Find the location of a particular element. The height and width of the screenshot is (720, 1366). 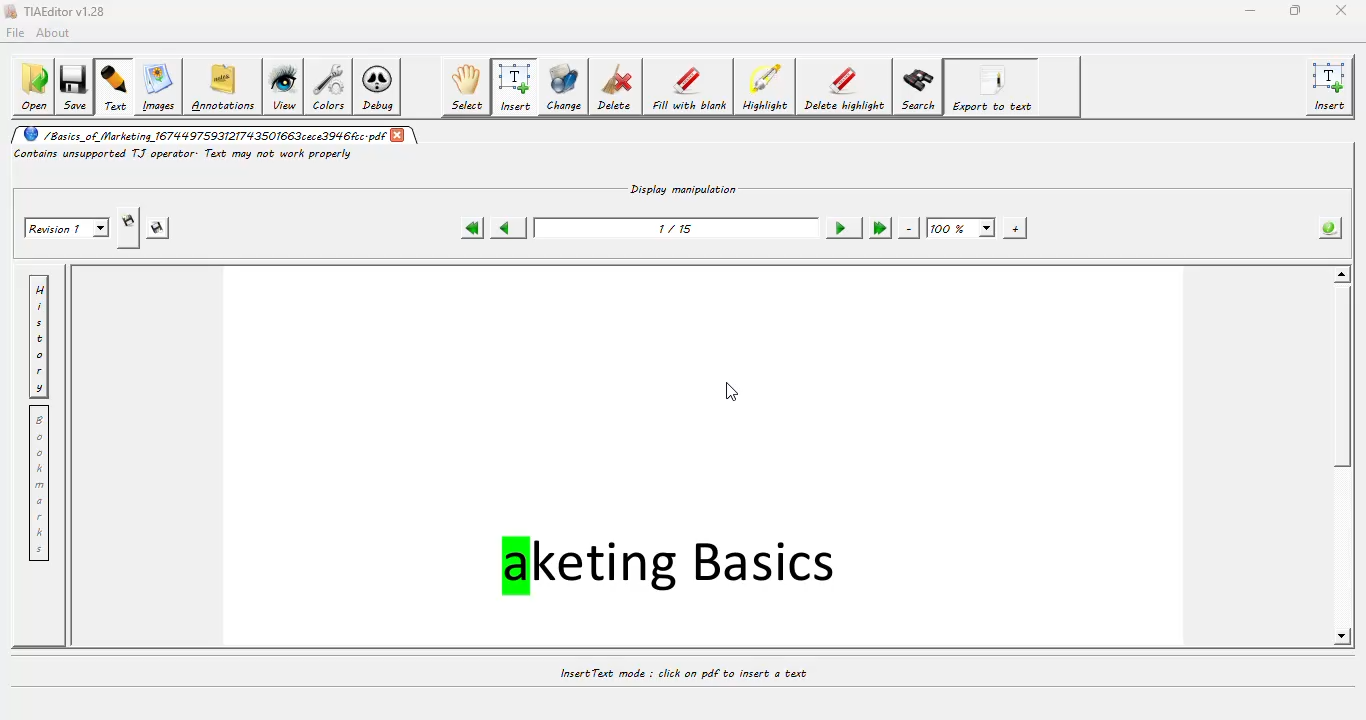

cursor is located at coordinates (732, 391).